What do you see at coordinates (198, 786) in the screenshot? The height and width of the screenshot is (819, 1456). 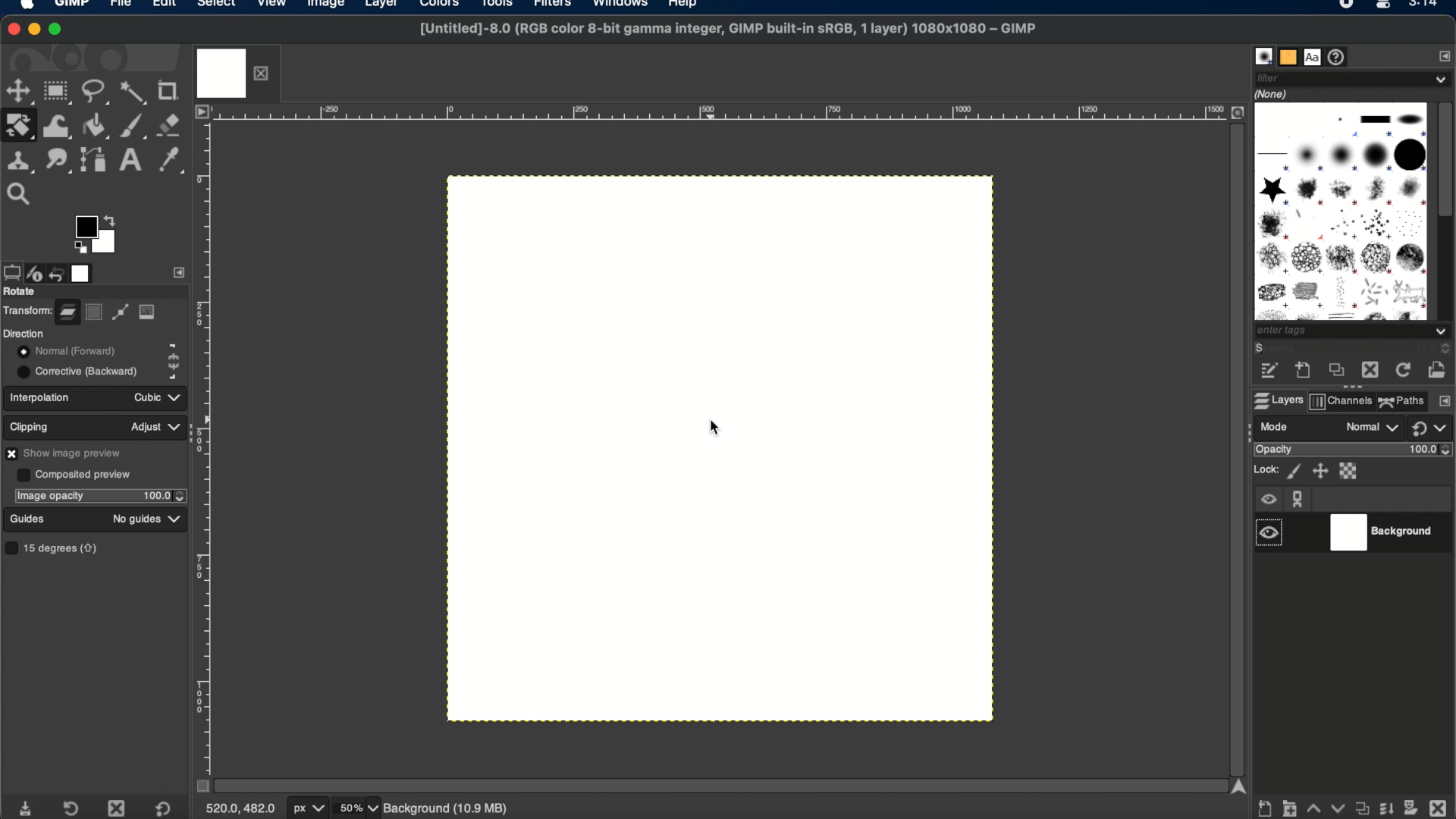 I see `toggle mask on/off` at bounding box center [198, 786].